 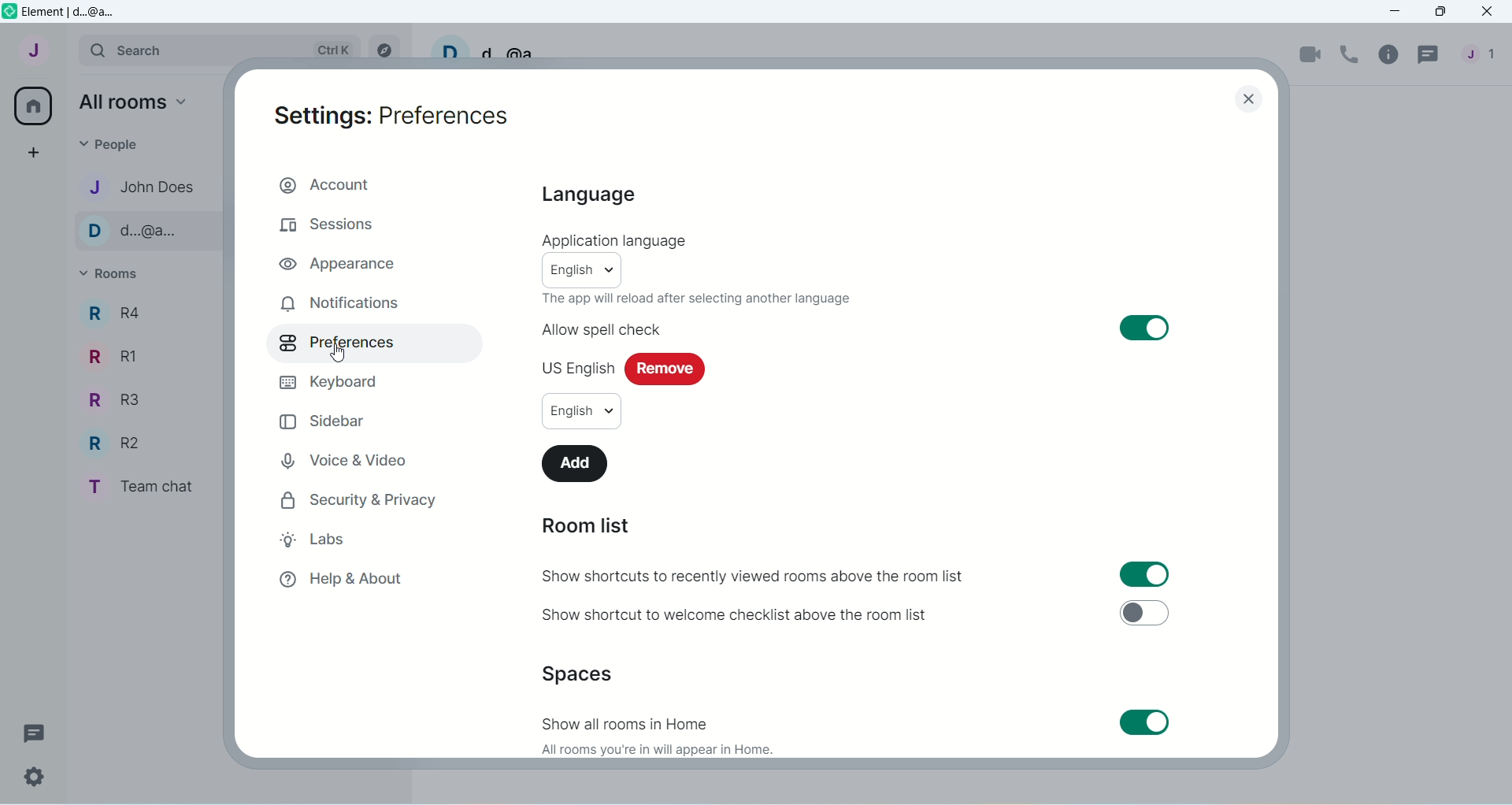 I want to click on Language, so click(x=596, y=196).